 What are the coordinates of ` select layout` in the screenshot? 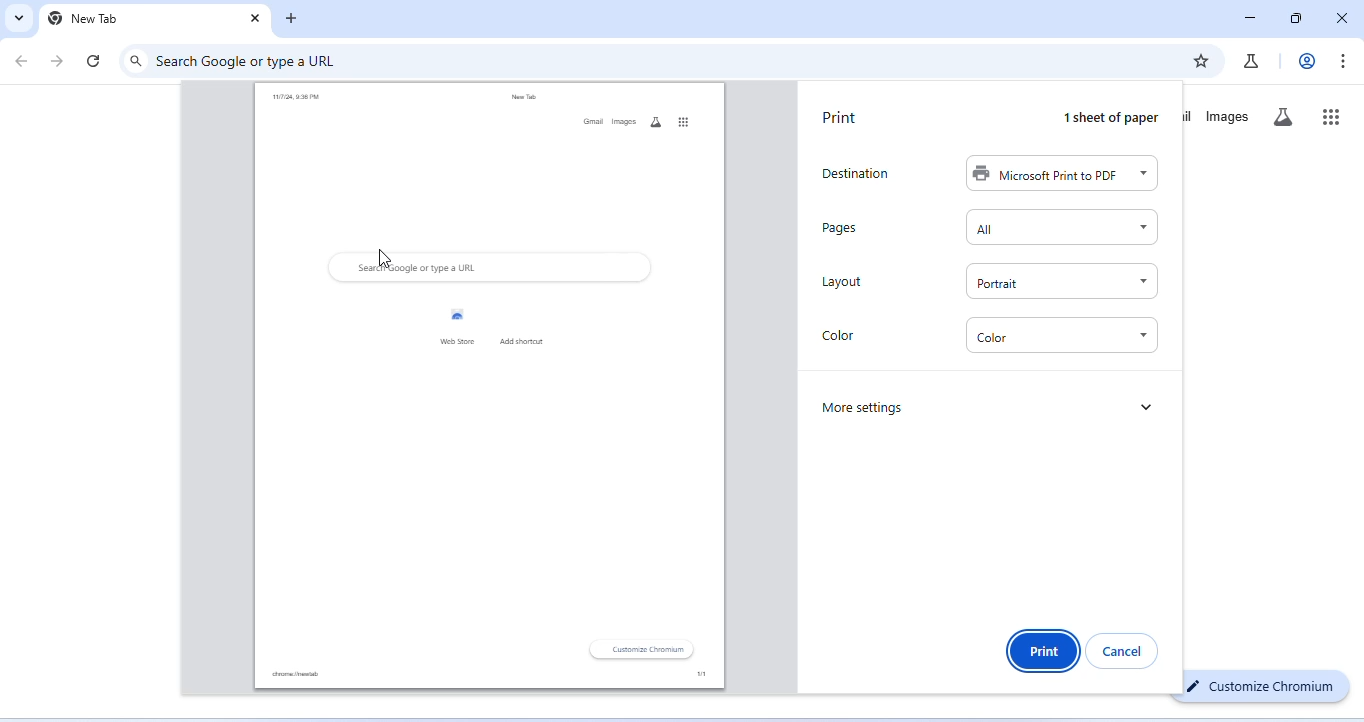 It's located at (1061, 280).